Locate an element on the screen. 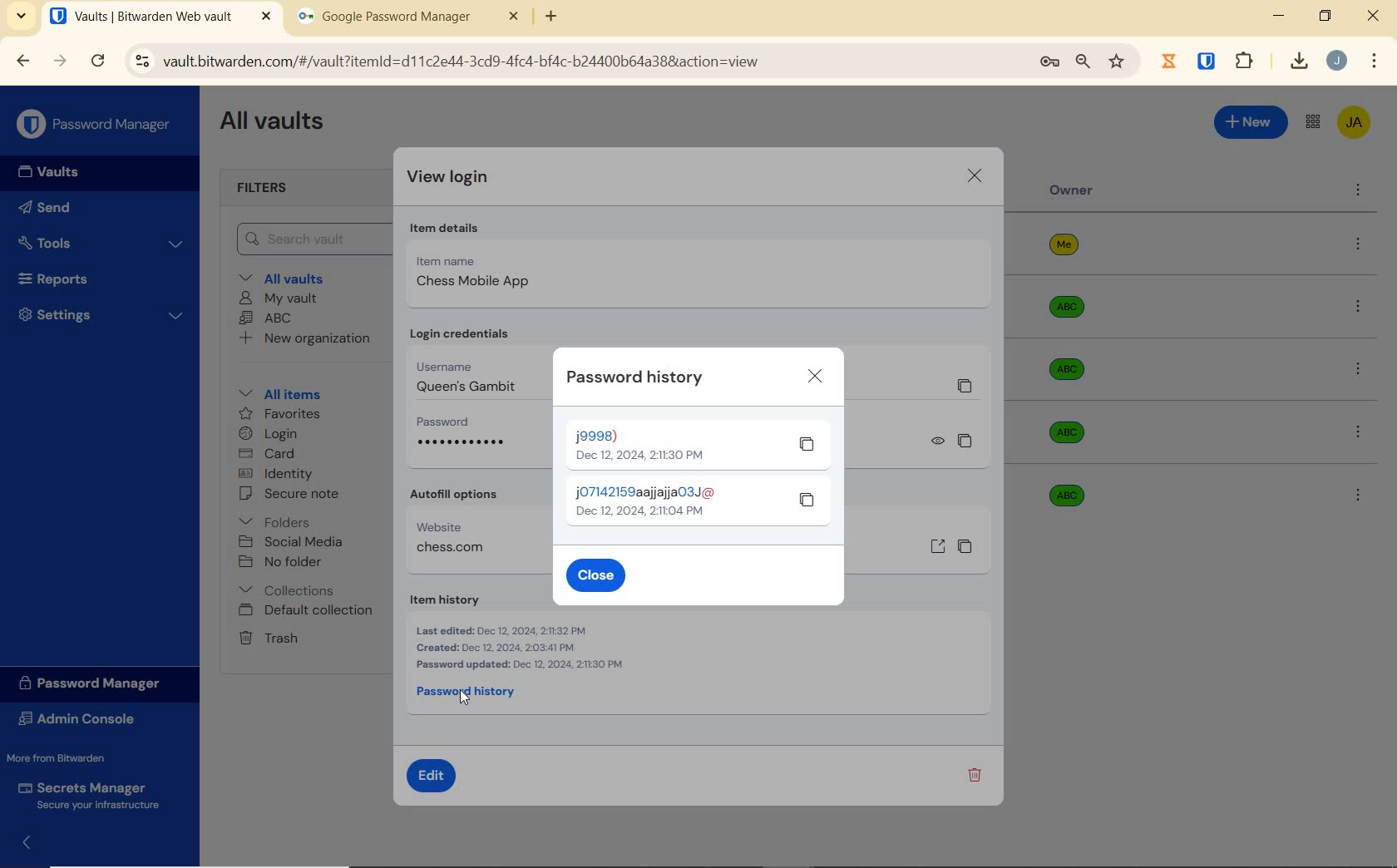 This screenshot has height=868, width=1397. item details is located at coordinates (449, 229).